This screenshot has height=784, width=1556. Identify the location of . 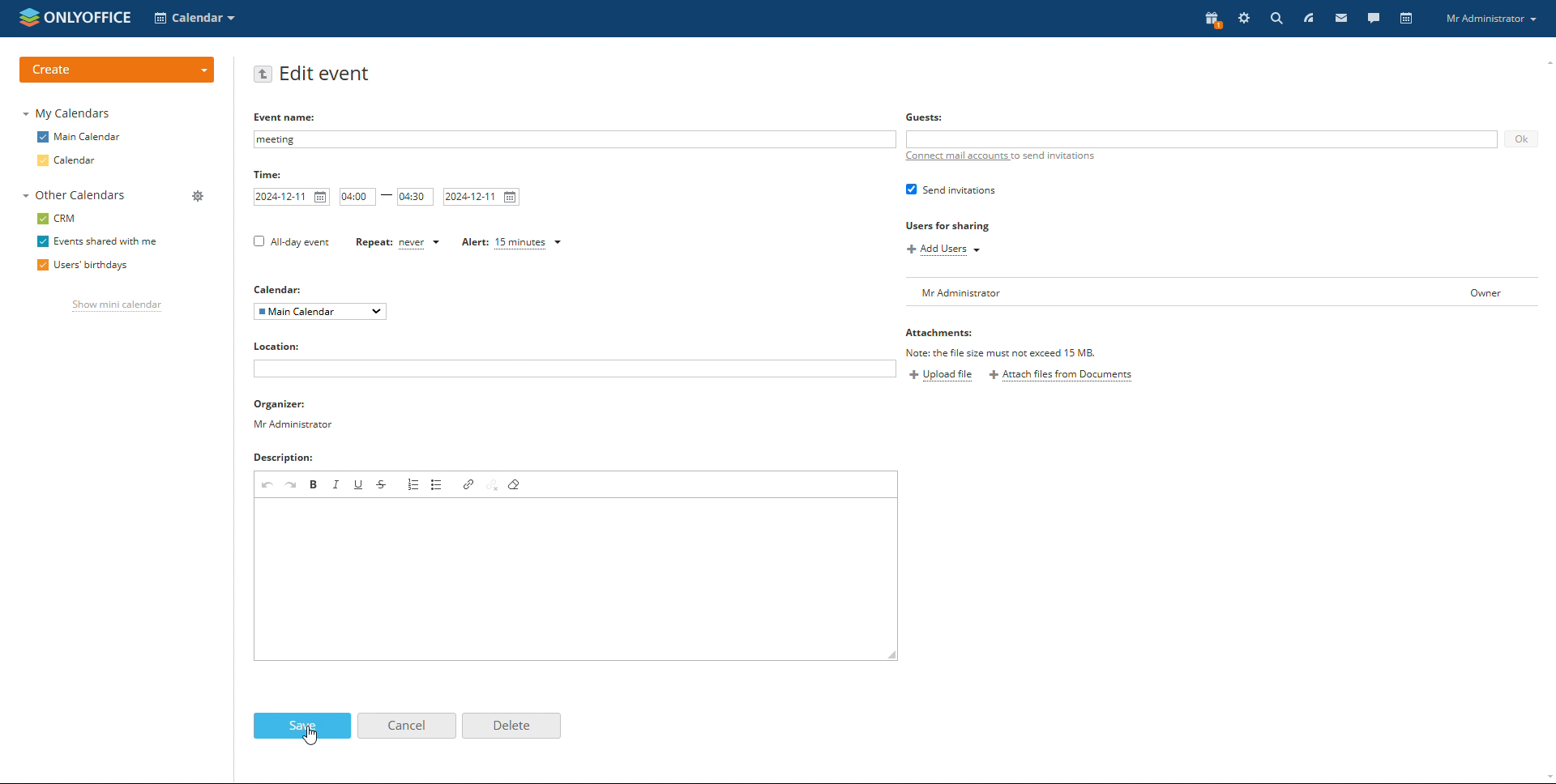
(281, 290).